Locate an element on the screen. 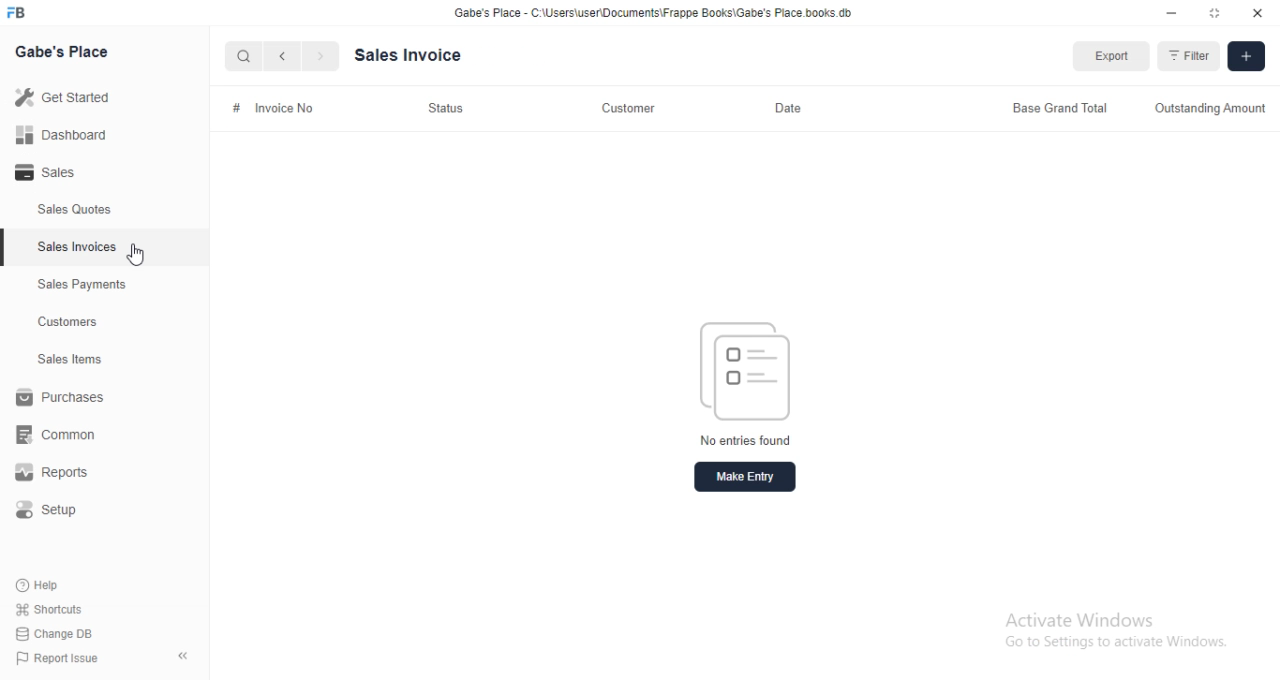 This screenshot has height=680, width=1280. Sales is located at coordinates (48, 171).